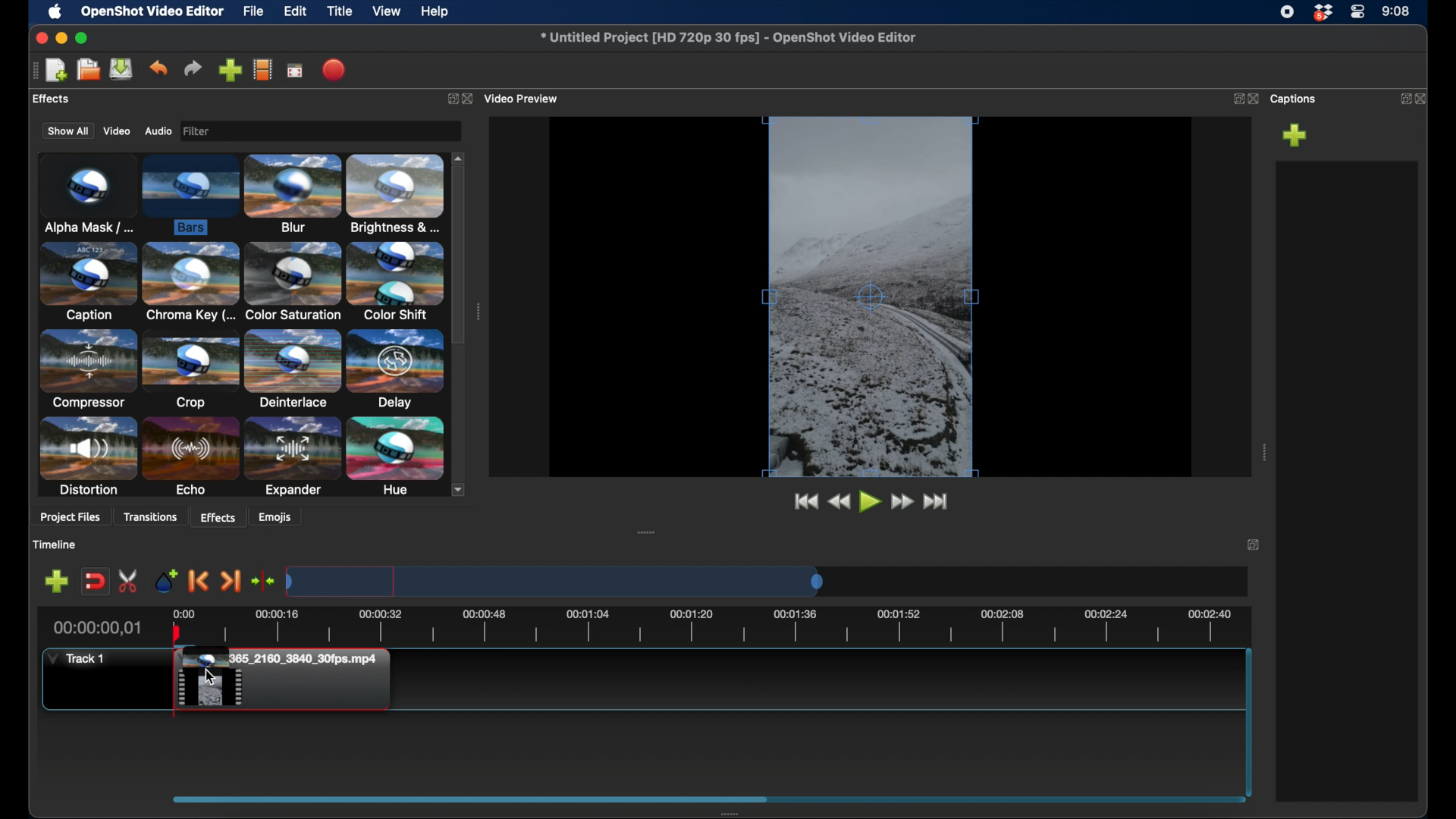 The width and height of the screenshot is (1456, 819). Describe the element at coordinates (868, 298) in the screenshot. I see `video preview` at that location.